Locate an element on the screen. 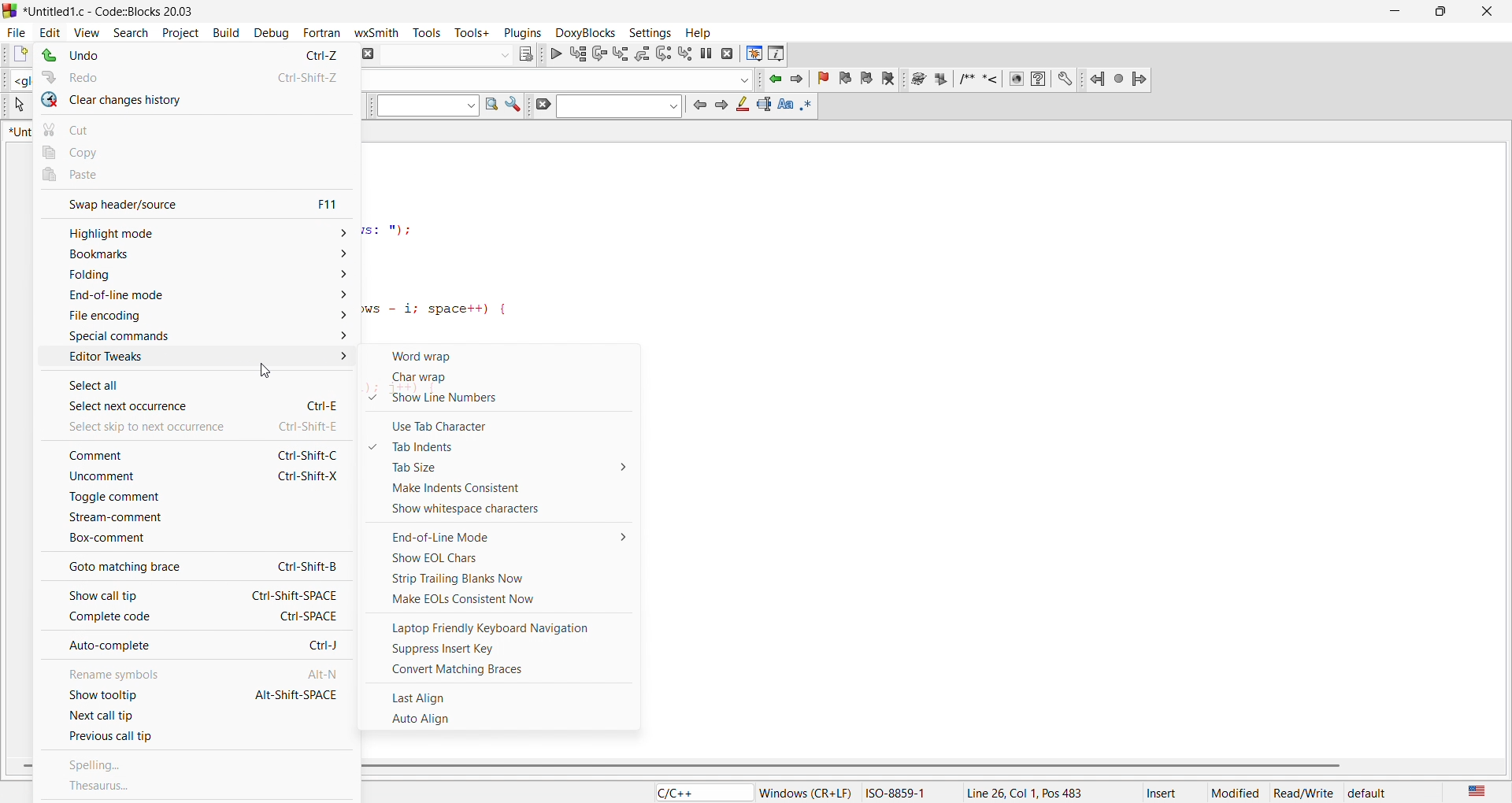 The width and height of the screenshot is (1512, 803). tools is located at coordinates (427, 31).